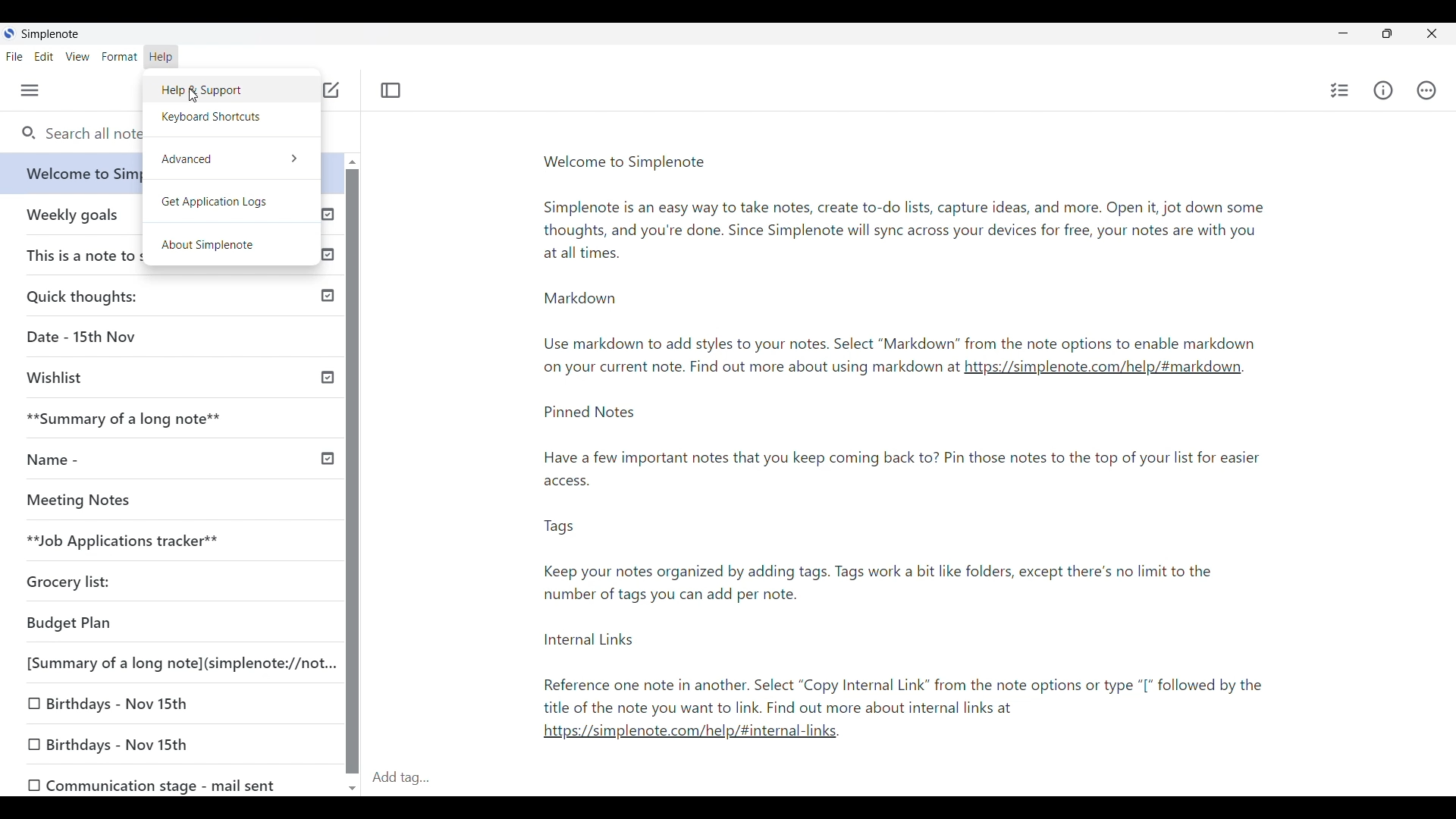  I want to click on cursor, so click(196, 96).